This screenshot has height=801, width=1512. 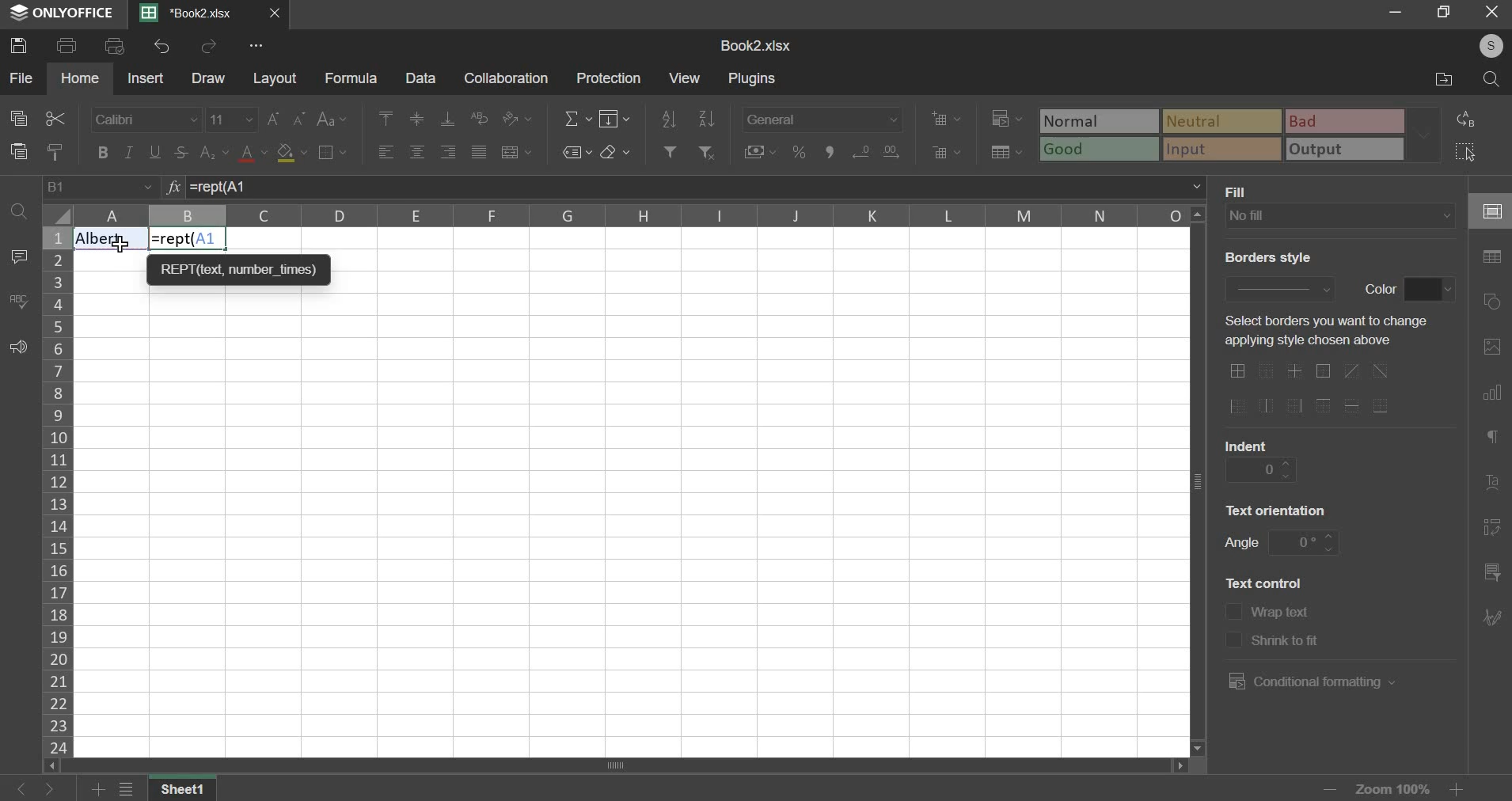 I want to click on draw, so click(x=209, y=78).